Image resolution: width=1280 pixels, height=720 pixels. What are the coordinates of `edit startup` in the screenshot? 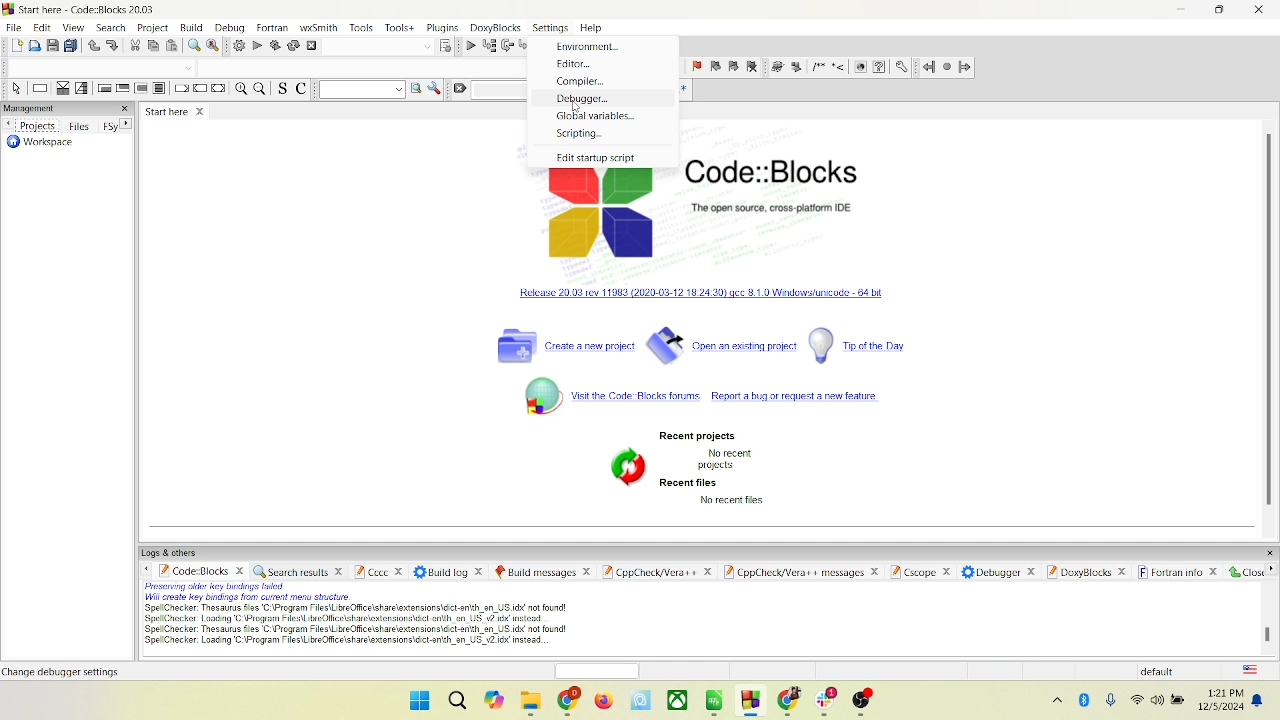 It's located at (595, 158).